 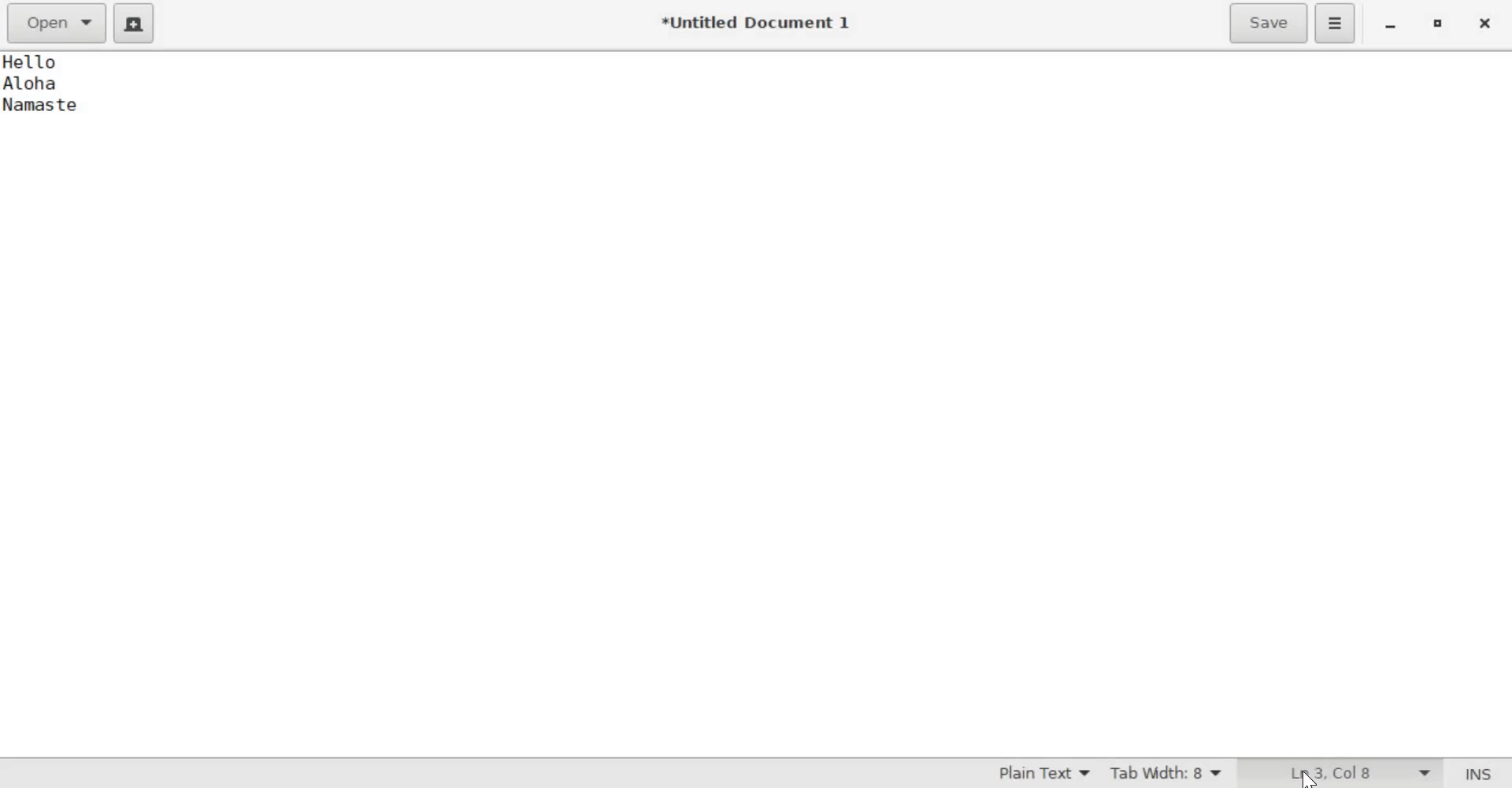 I want to click on Line and Column Indicator, so click(x=1359, y=773).